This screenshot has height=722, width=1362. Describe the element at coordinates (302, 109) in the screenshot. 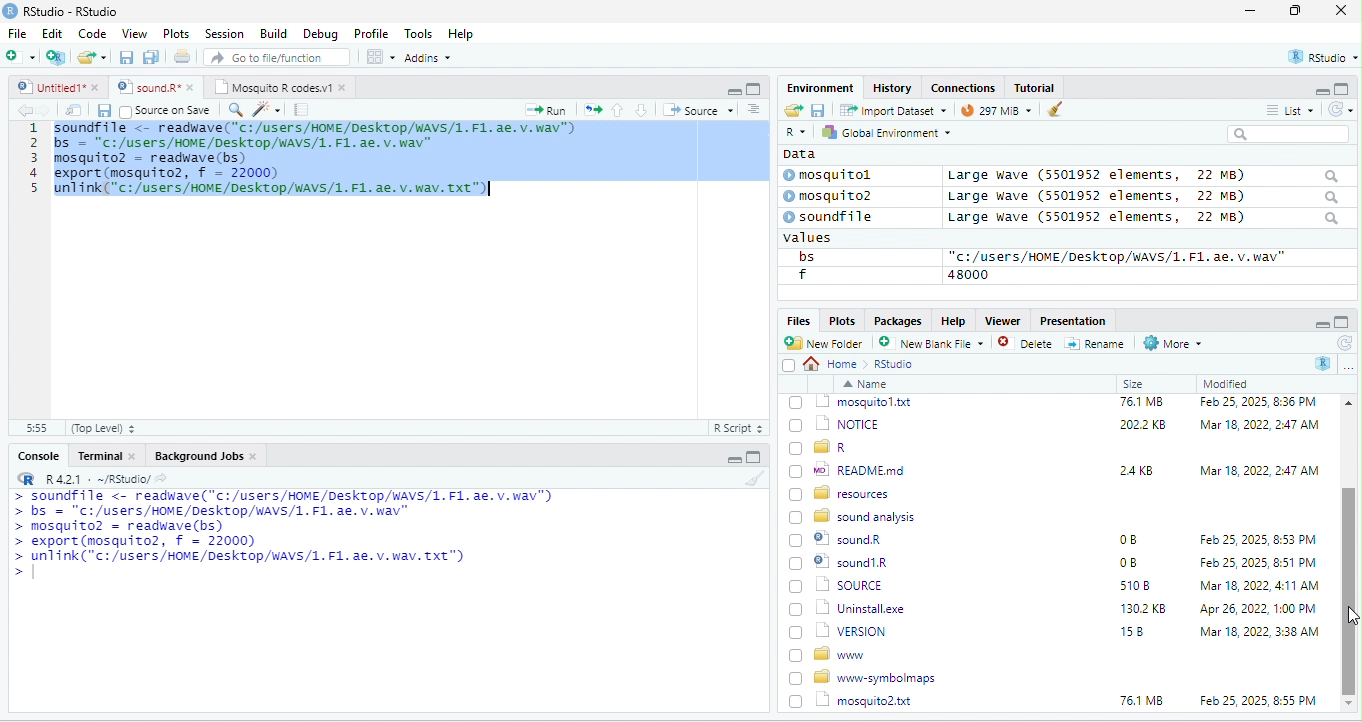

I see `note` at that location.